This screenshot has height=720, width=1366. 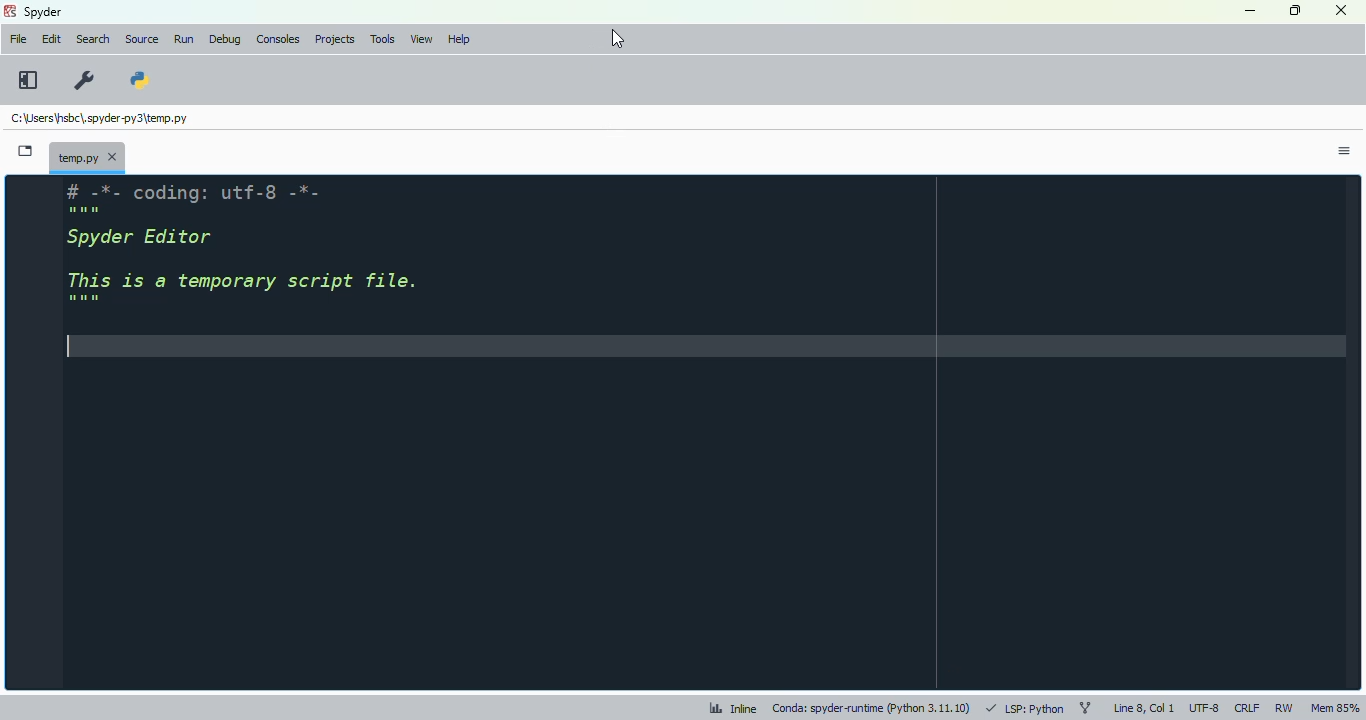 What do you see at coordinates (140, 79) in the screenshot?
I see `PYTHONPATH manager` at bounding box center [140, 79].